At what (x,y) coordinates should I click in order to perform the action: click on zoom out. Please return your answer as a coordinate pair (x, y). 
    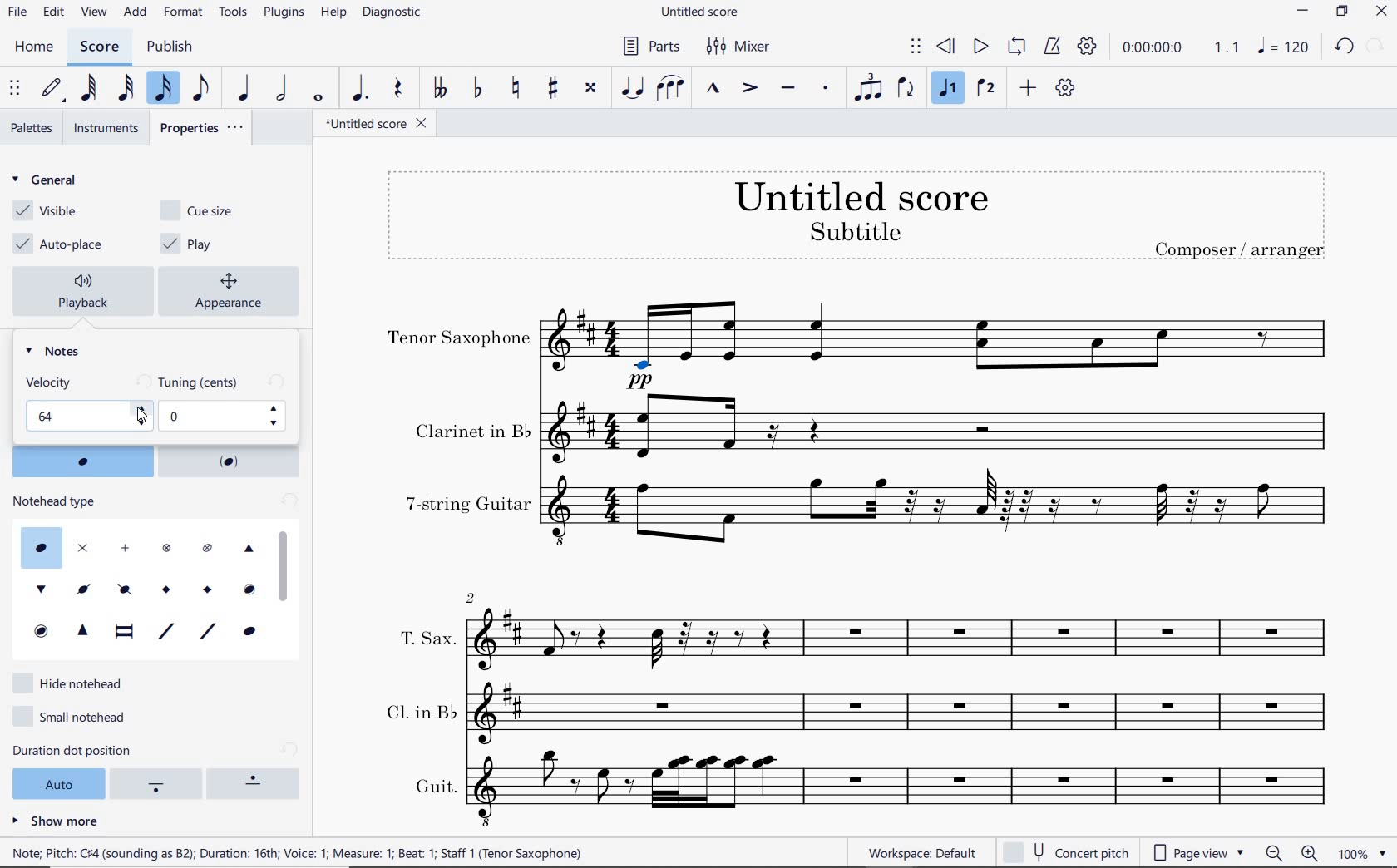
    Looking at the image, I should click on (1275, 853).